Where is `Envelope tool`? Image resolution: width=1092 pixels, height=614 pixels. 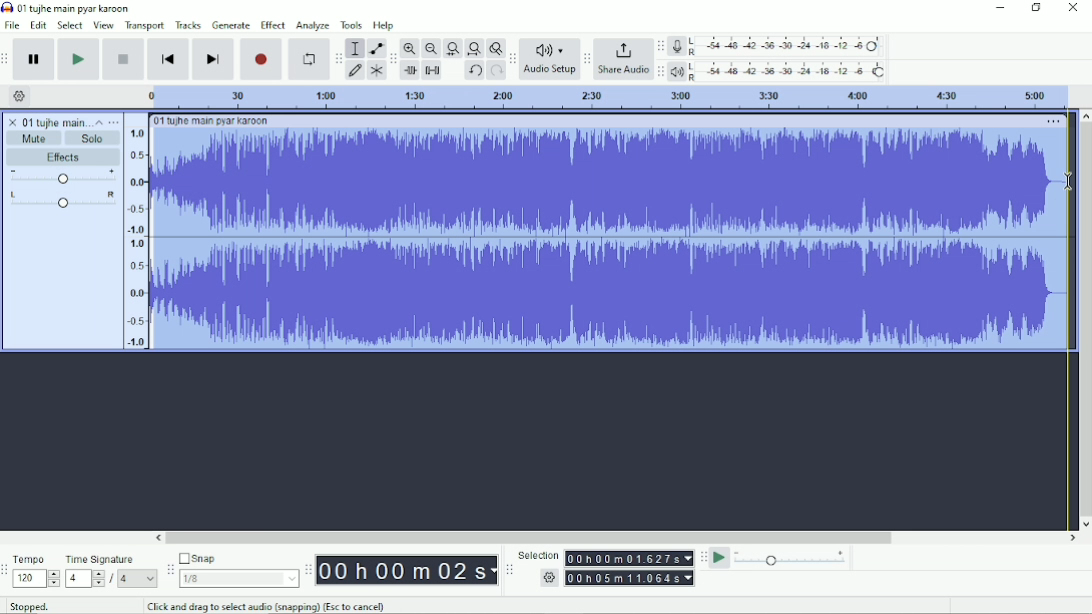
Envelope tool is located at coordinates (375, 47).